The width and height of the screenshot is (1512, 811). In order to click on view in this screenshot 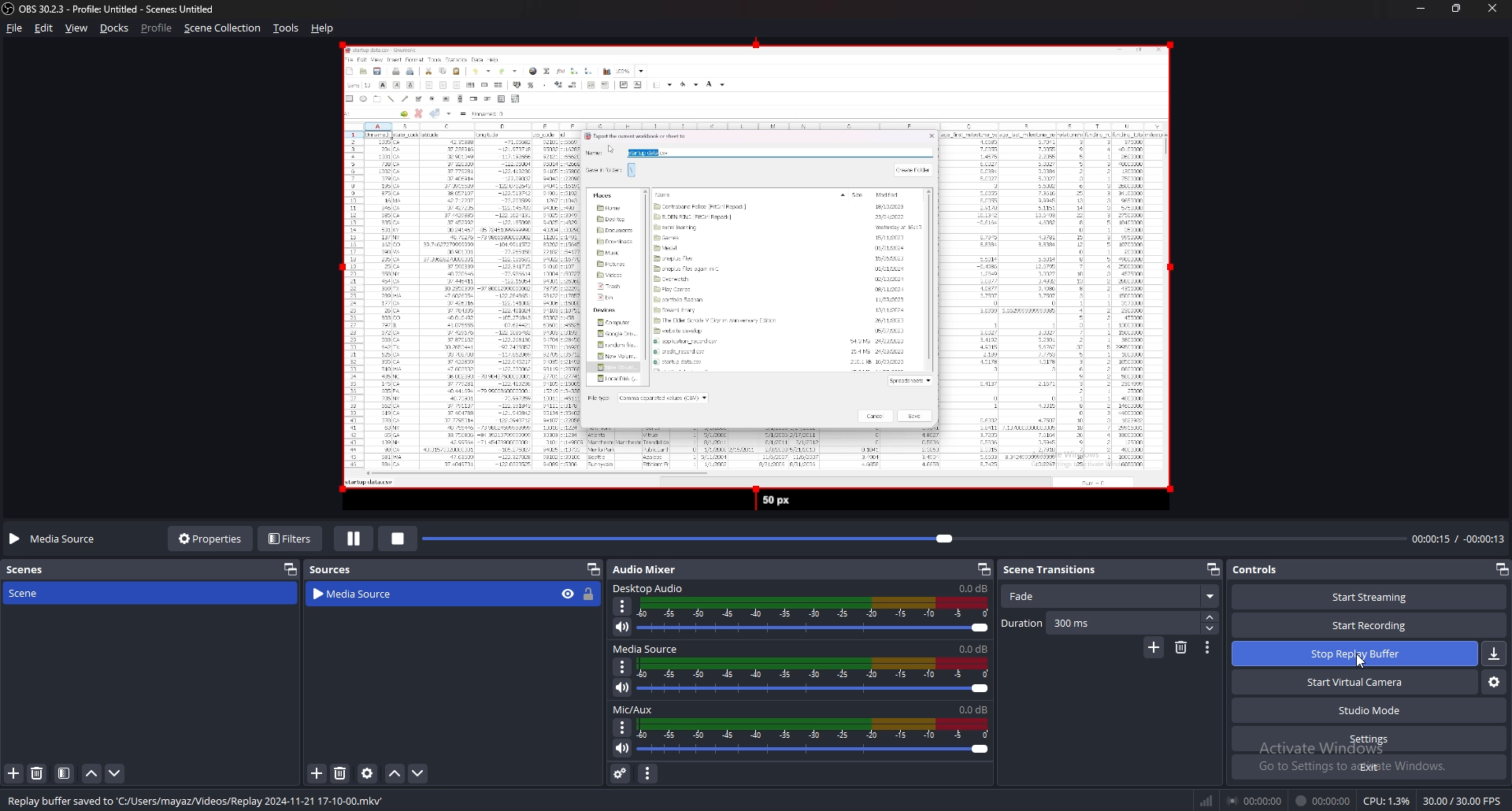, I will do `click(77, 28)`.